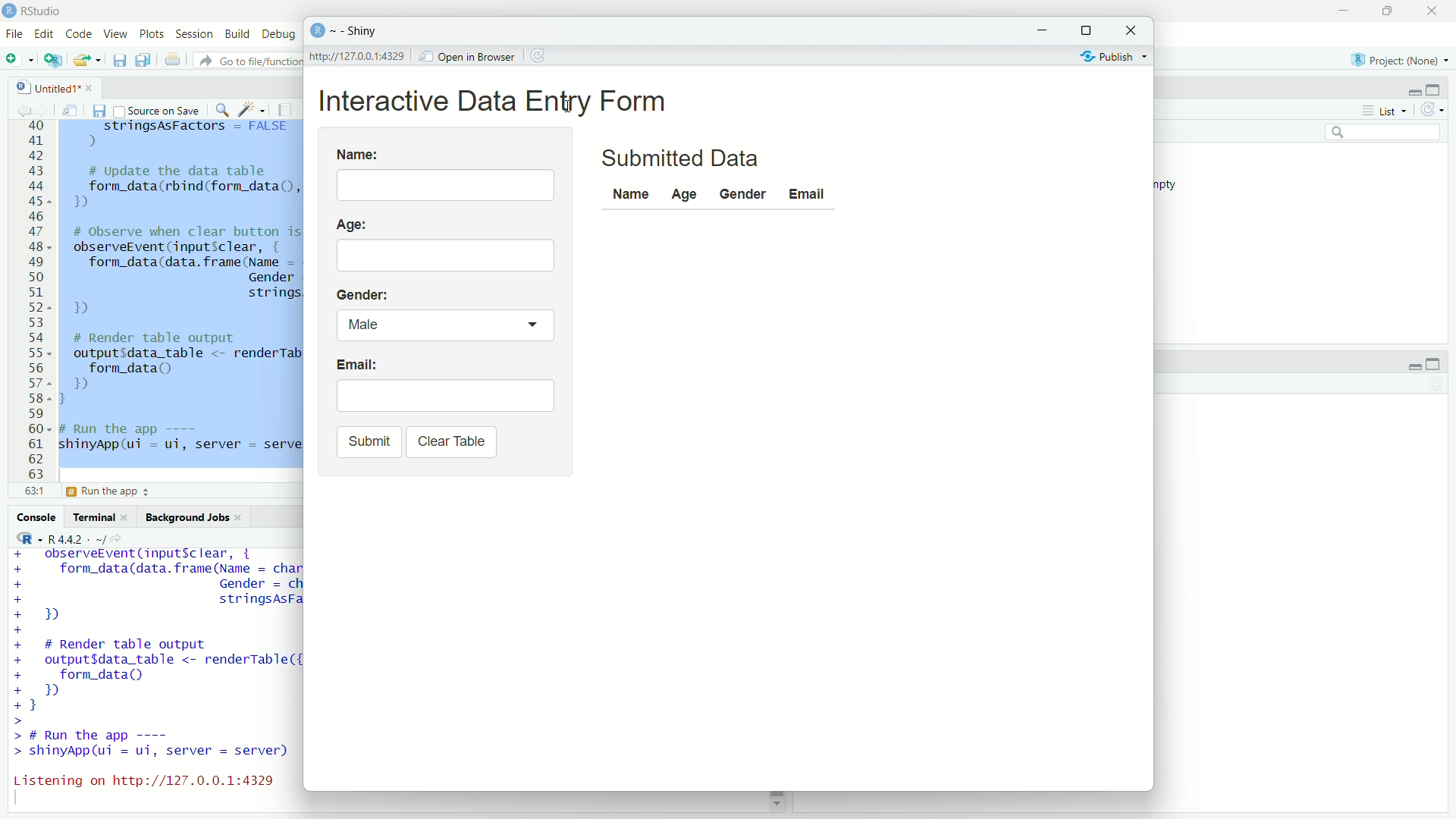  Describe the element at coordinates (93, 517) in the screenshot. I see `terminal` at that location.